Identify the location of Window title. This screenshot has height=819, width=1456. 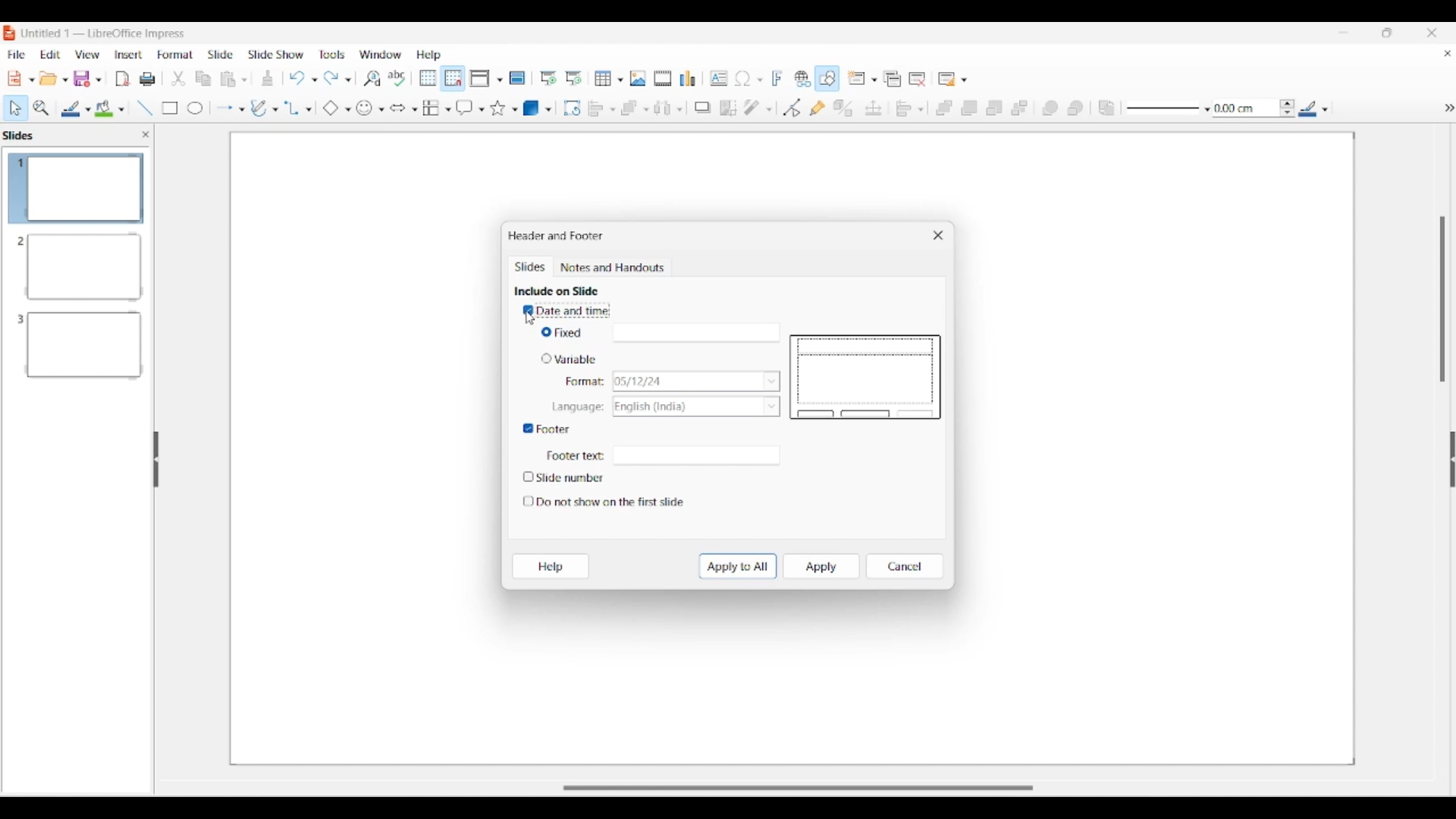
(556, 236).